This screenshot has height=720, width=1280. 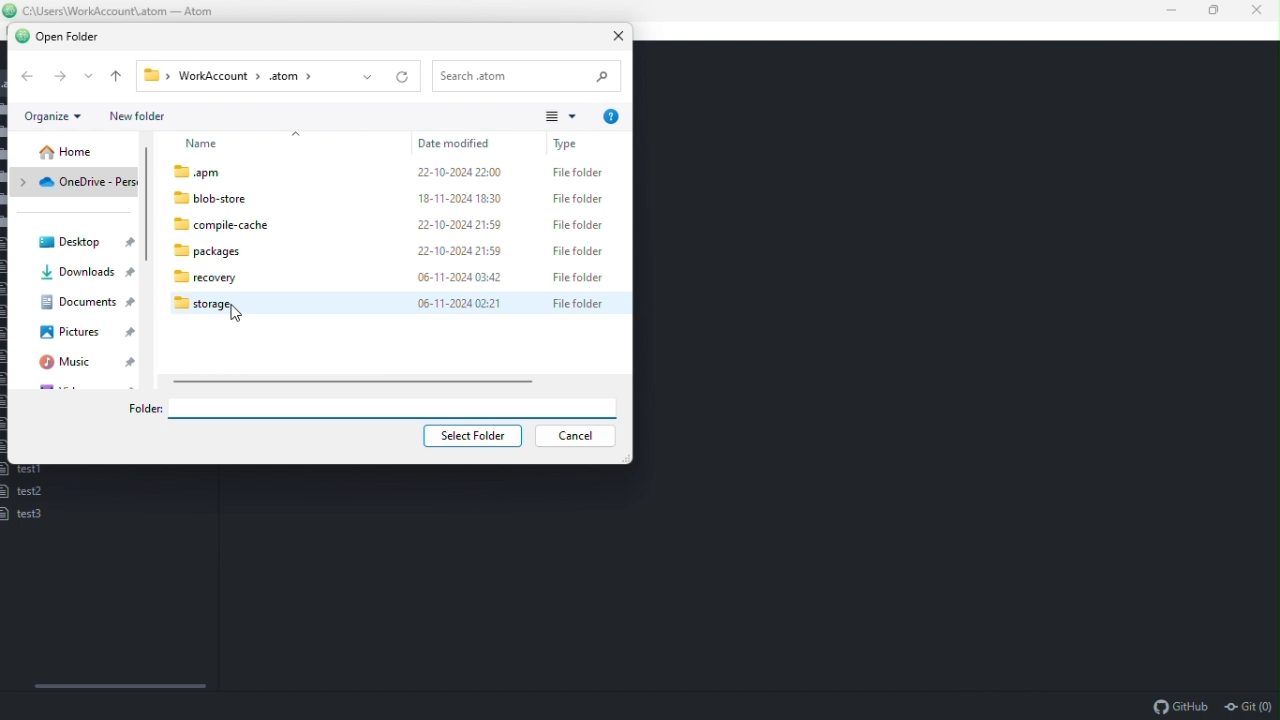 What do you see at coordinates (1249, 706) in the screenshot?
I see `git` at bounding box center [1249, 706].